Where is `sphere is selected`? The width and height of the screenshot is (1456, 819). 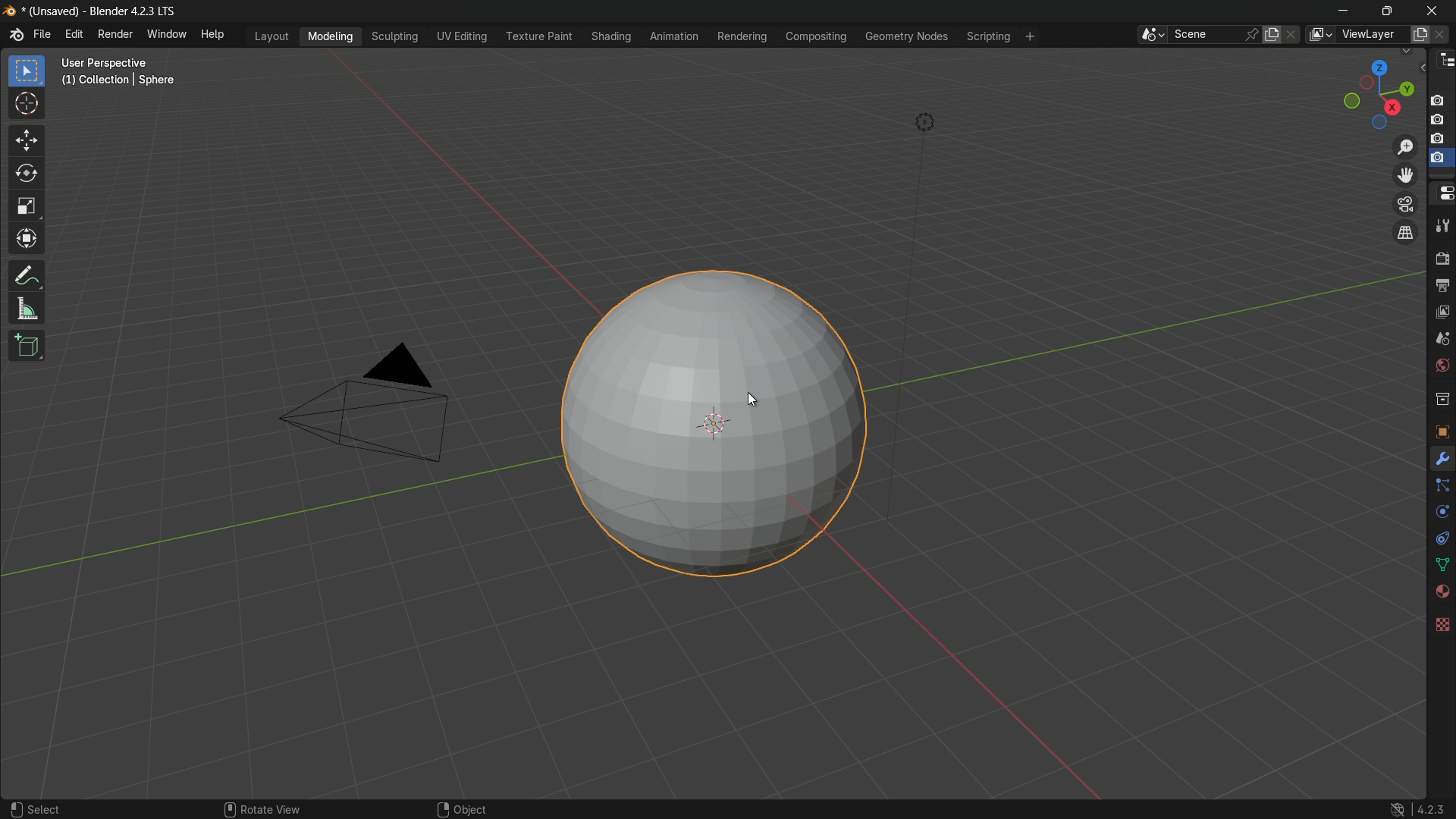 sphere is selected is located at coordinates (713, 417).